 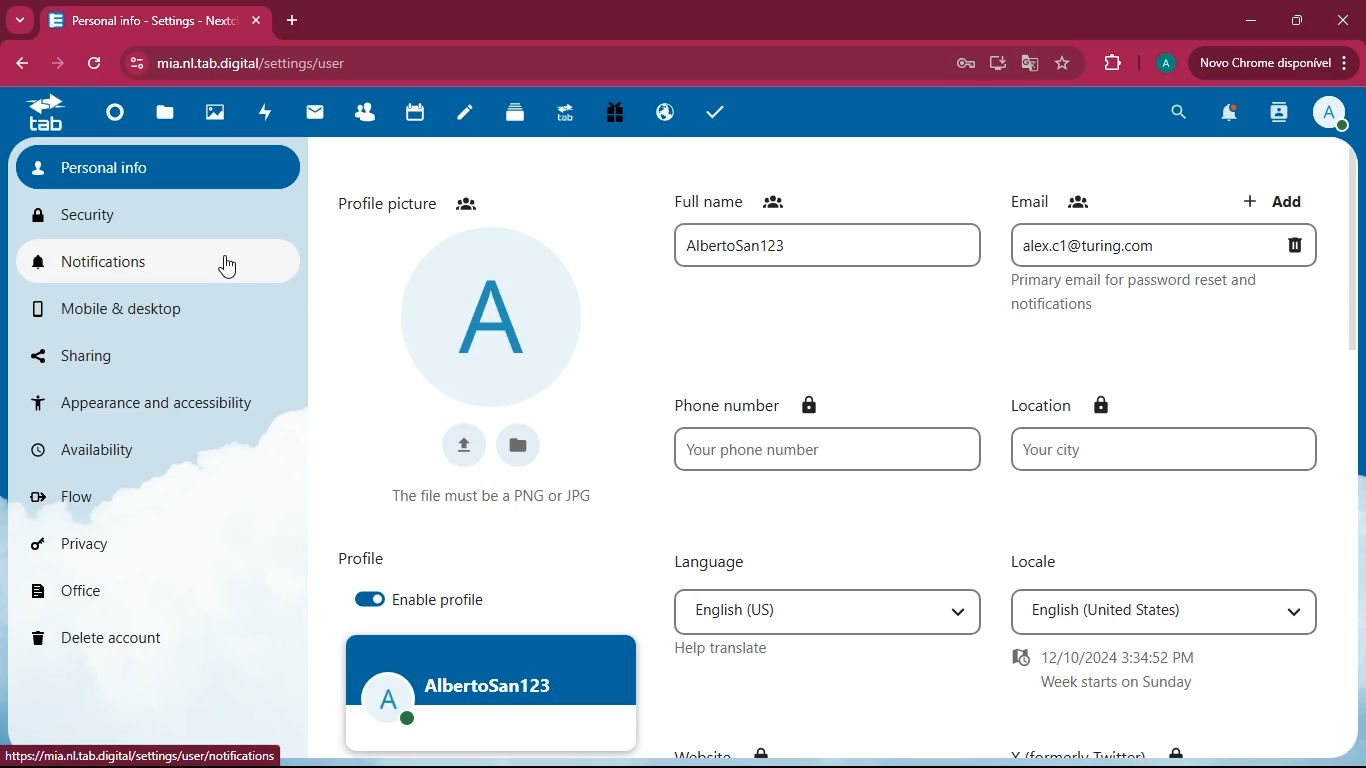 What do you see at coordinates (829, 450) in the screenshot?
I see `phone number` at bounding box center [829, 450].